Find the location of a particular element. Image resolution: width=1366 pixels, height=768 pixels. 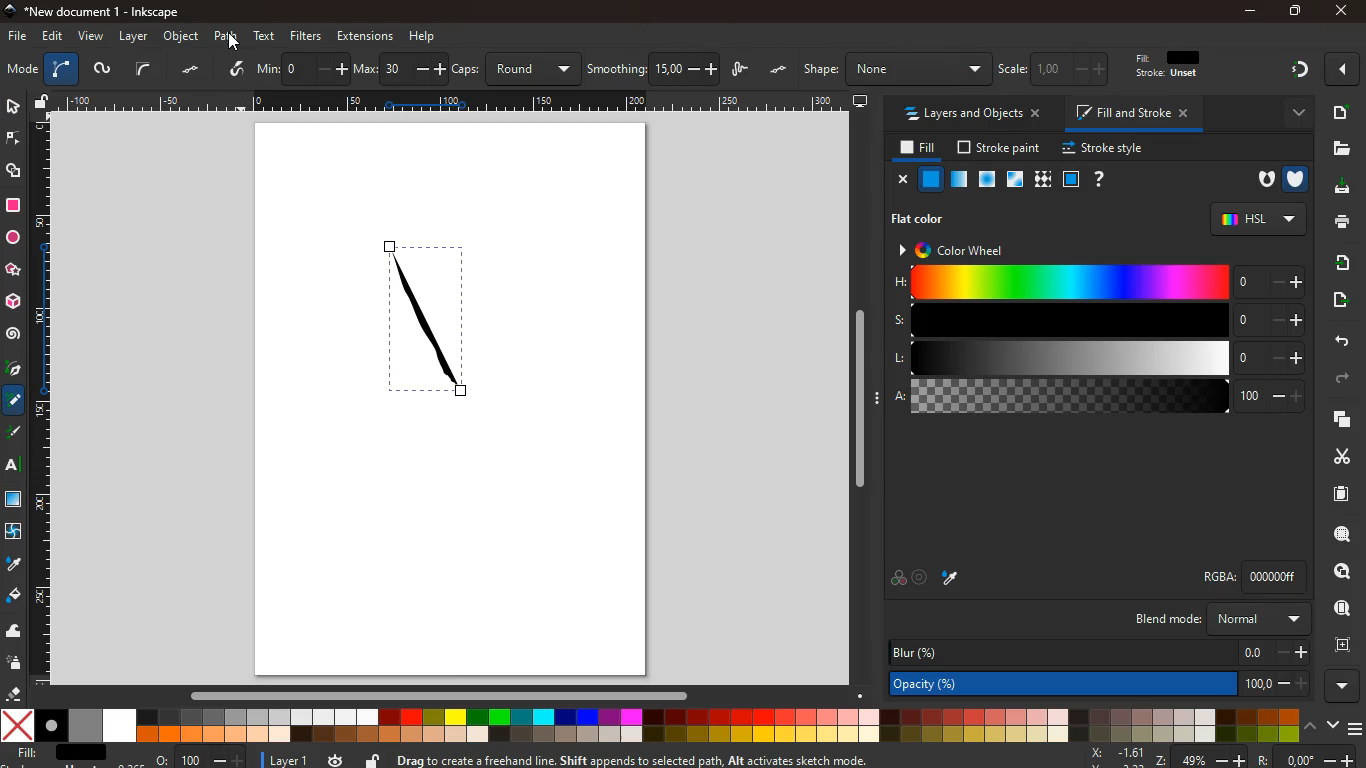

window is located at coordinates (1016, 180).